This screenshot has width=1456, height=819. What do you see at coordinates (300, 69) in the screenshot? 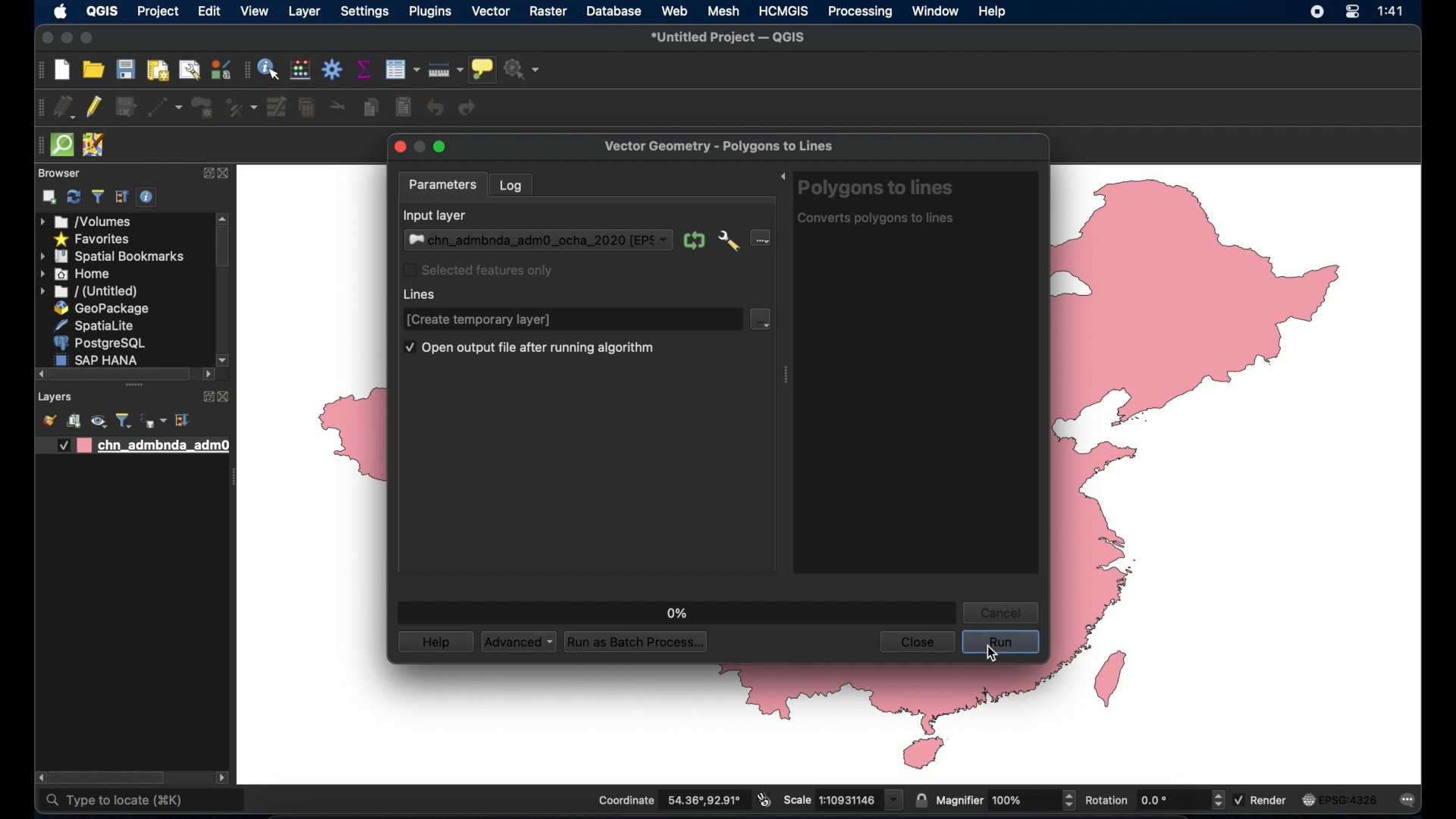
I see `open field calculator` at bounding box center [300, 69].